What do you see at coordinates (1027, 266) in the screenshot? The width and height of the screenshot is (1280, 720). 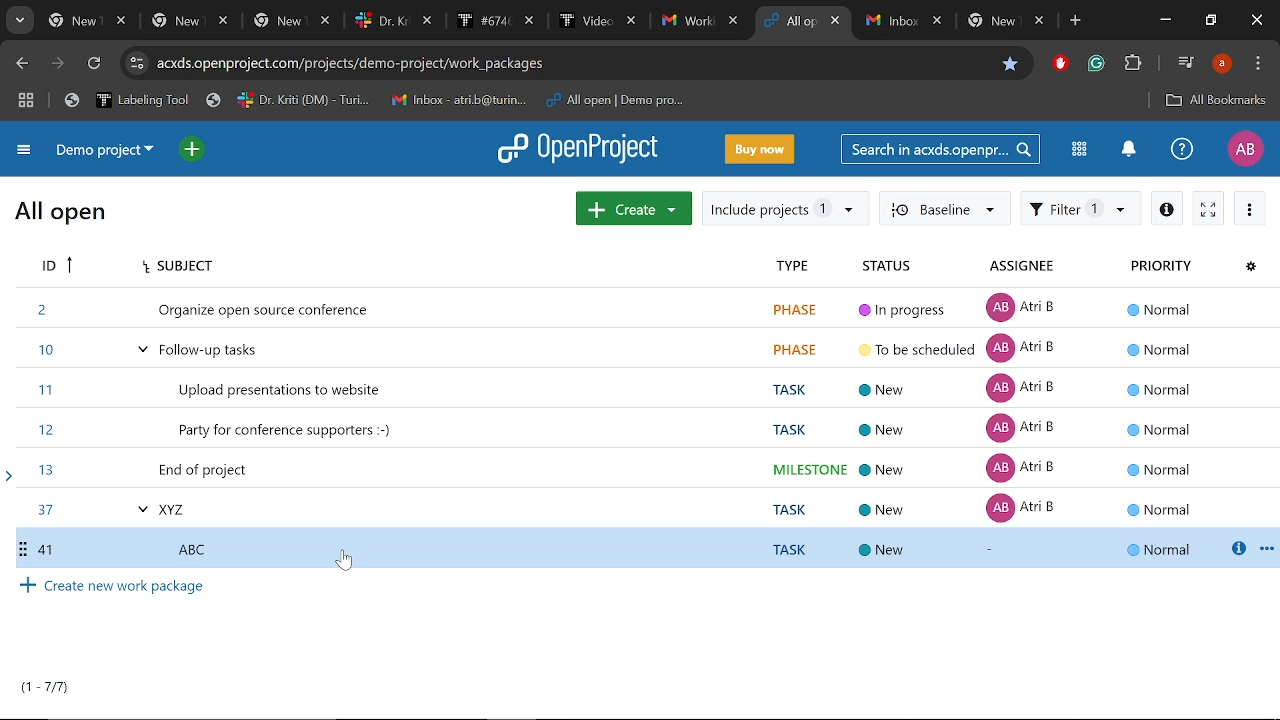 I see `Assignee` at bounding box center [1027, 266].